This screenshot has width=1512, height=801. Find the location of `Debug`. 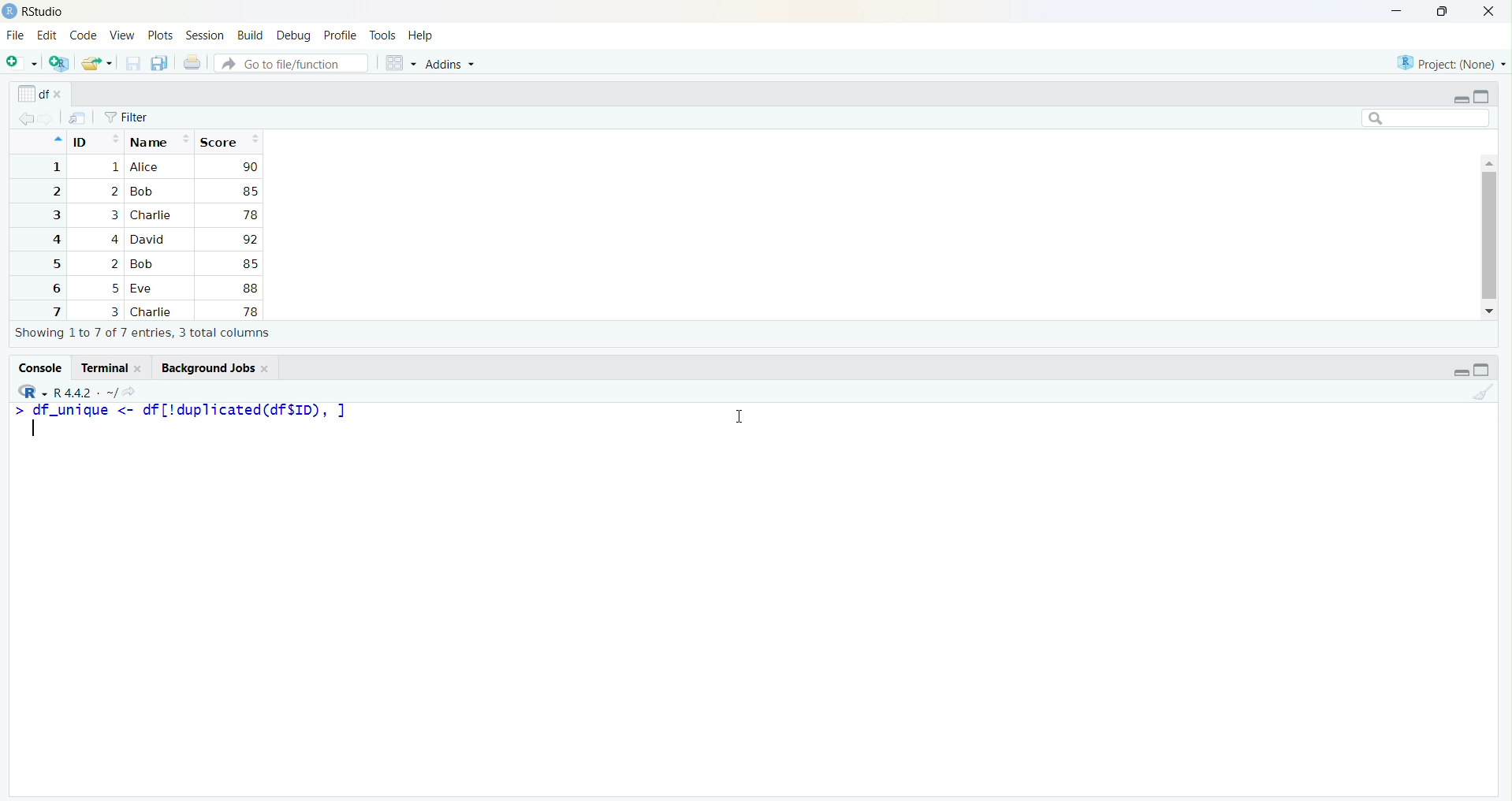

Debug is located at coordinates (295, 35).